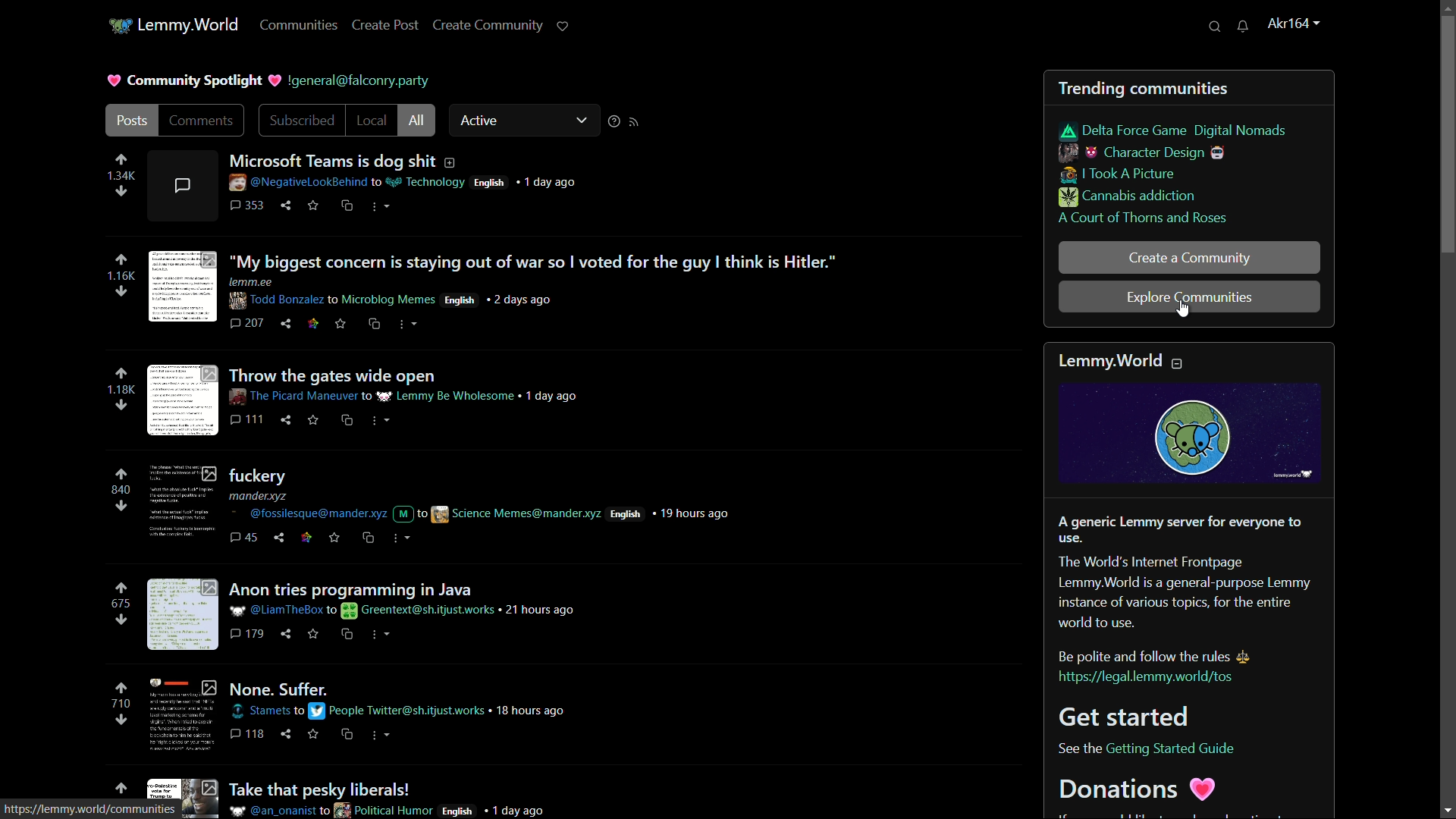  I want to click on image, so click(185, 615).